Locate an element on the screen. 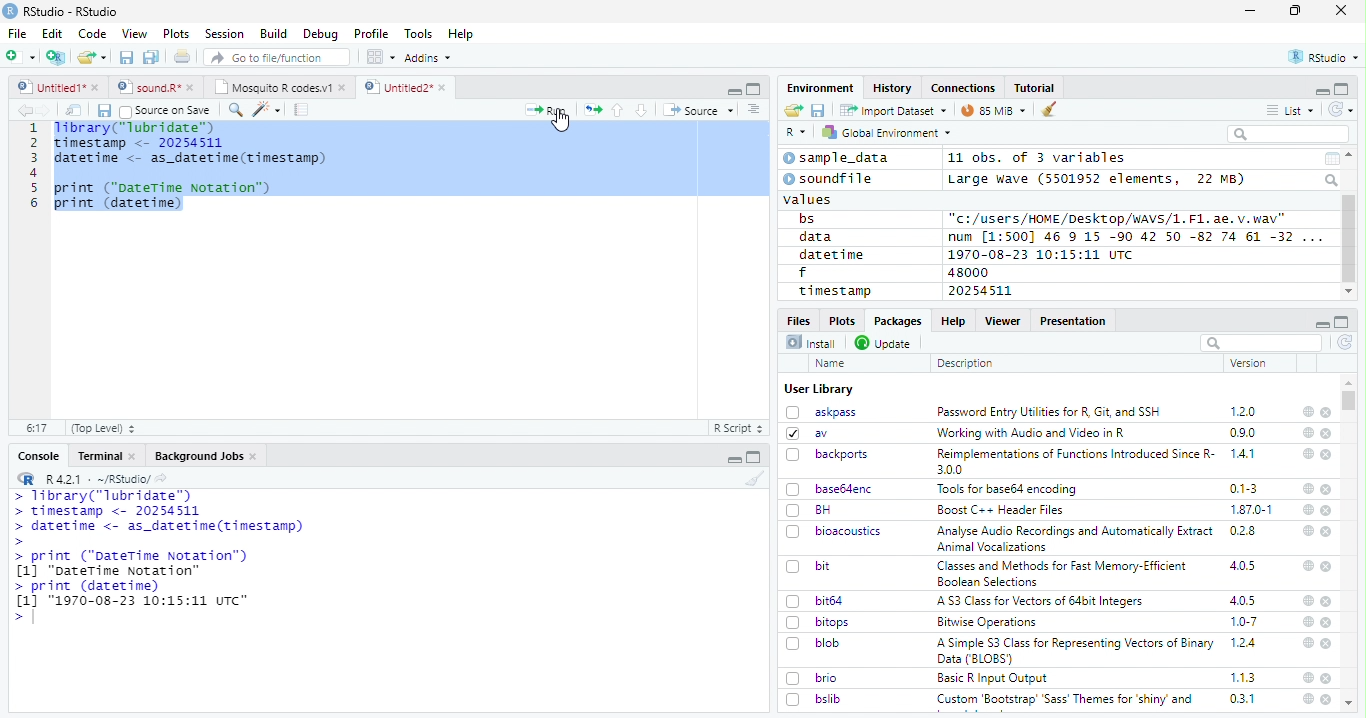 This screenshot has height=718, width=1366. View is located at coordinates (135, 34).